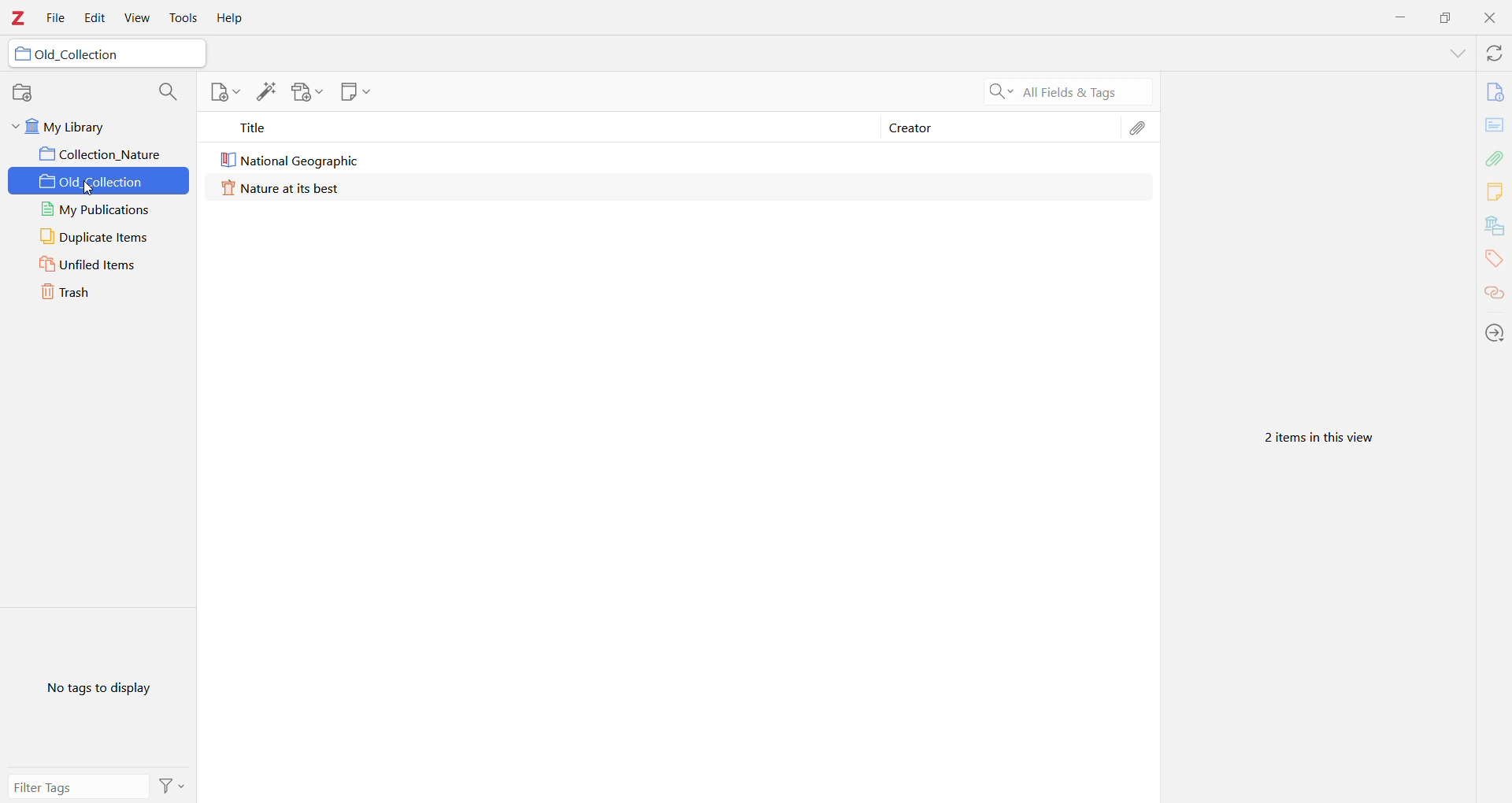  Describe the element at coordinates (1496, 126) in the screenshot. I see `Abstract` at that location.